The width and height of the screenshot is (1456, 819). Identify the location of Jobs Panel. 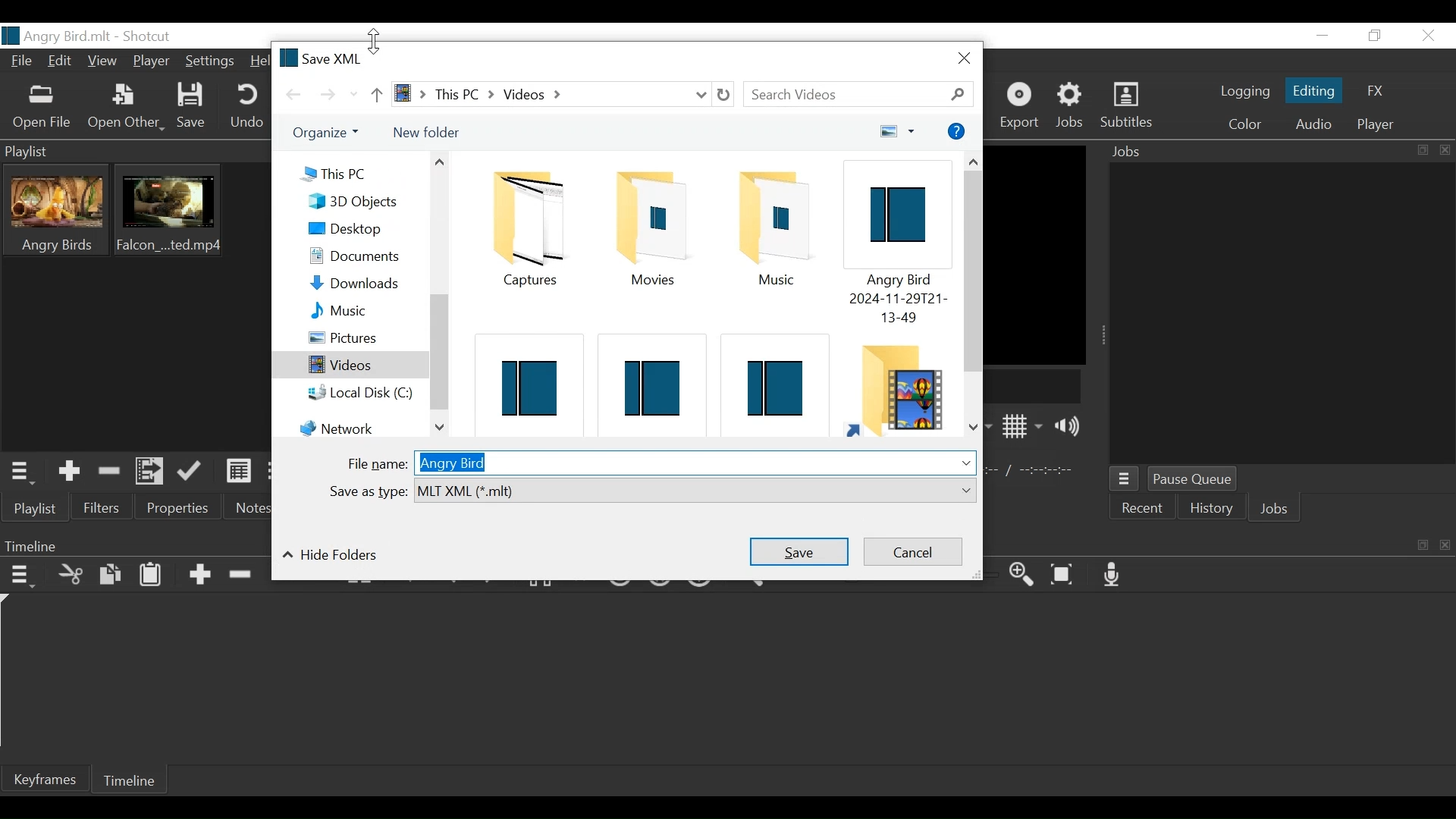
(1284, 317).